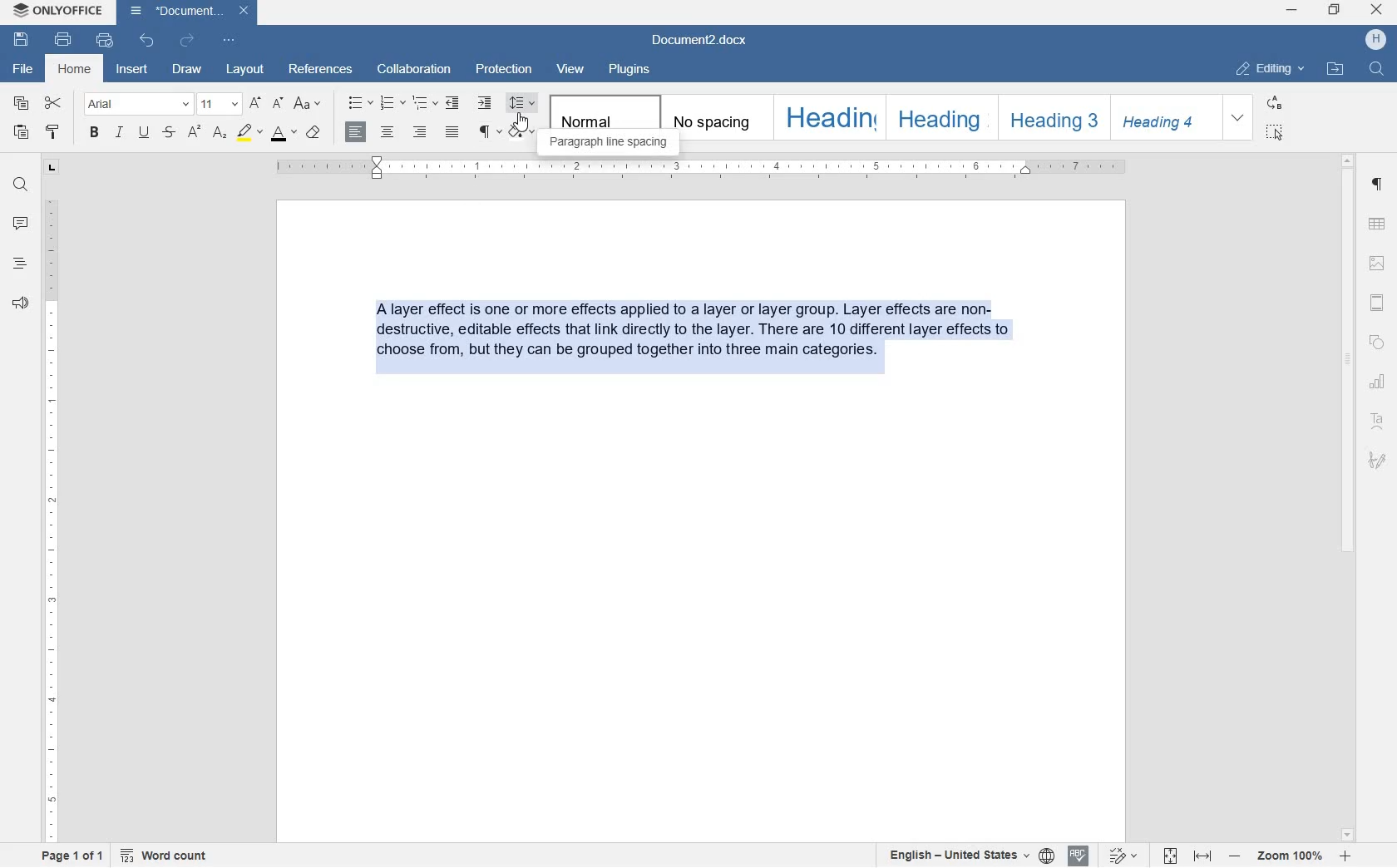  I want to click on view, so click(571, 71).